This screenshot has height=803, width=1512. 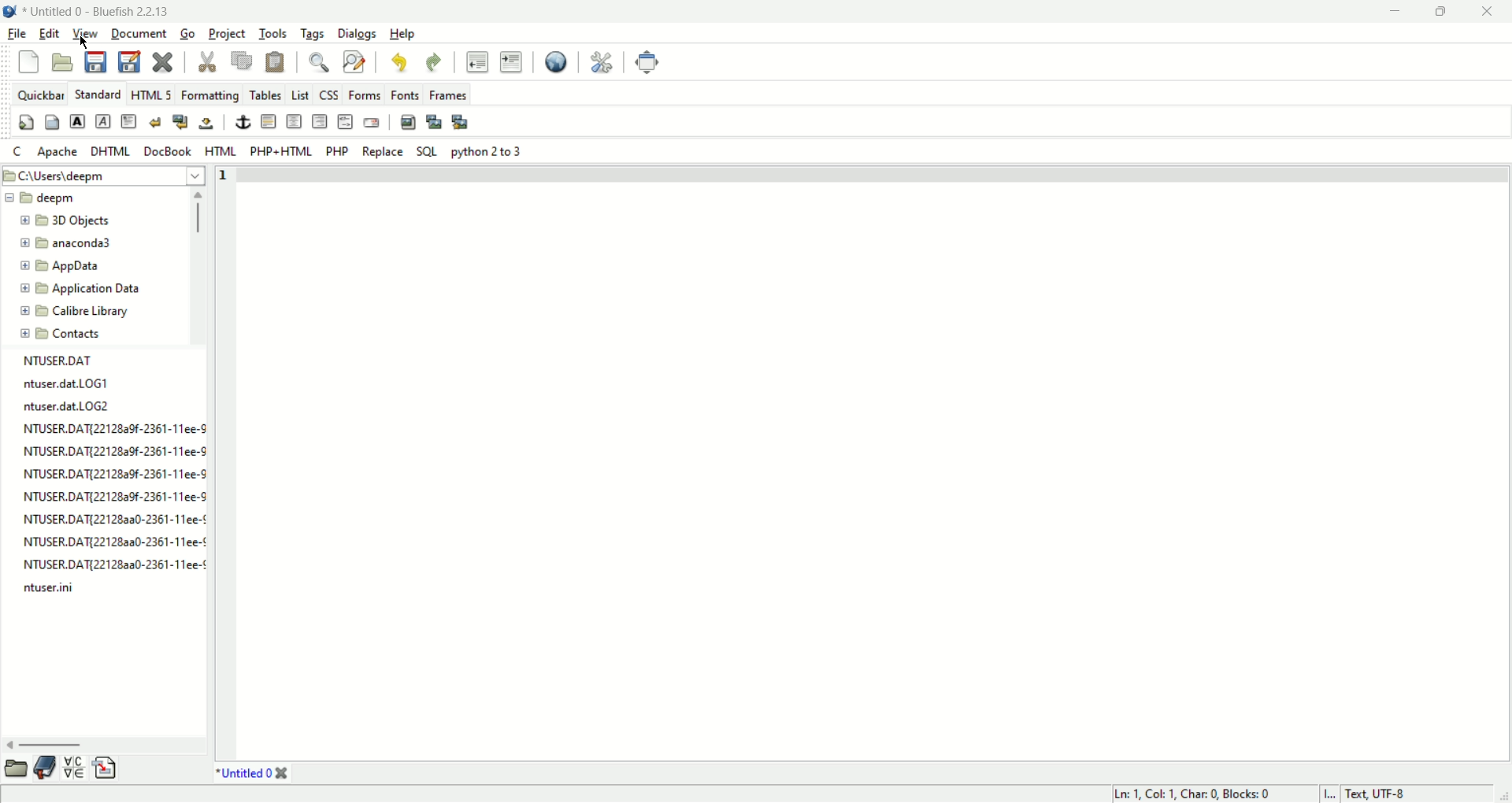 What do you see at coordinates (128, 120) in the screenshot?
I see `paragraph` at bounding box center [128, 120].